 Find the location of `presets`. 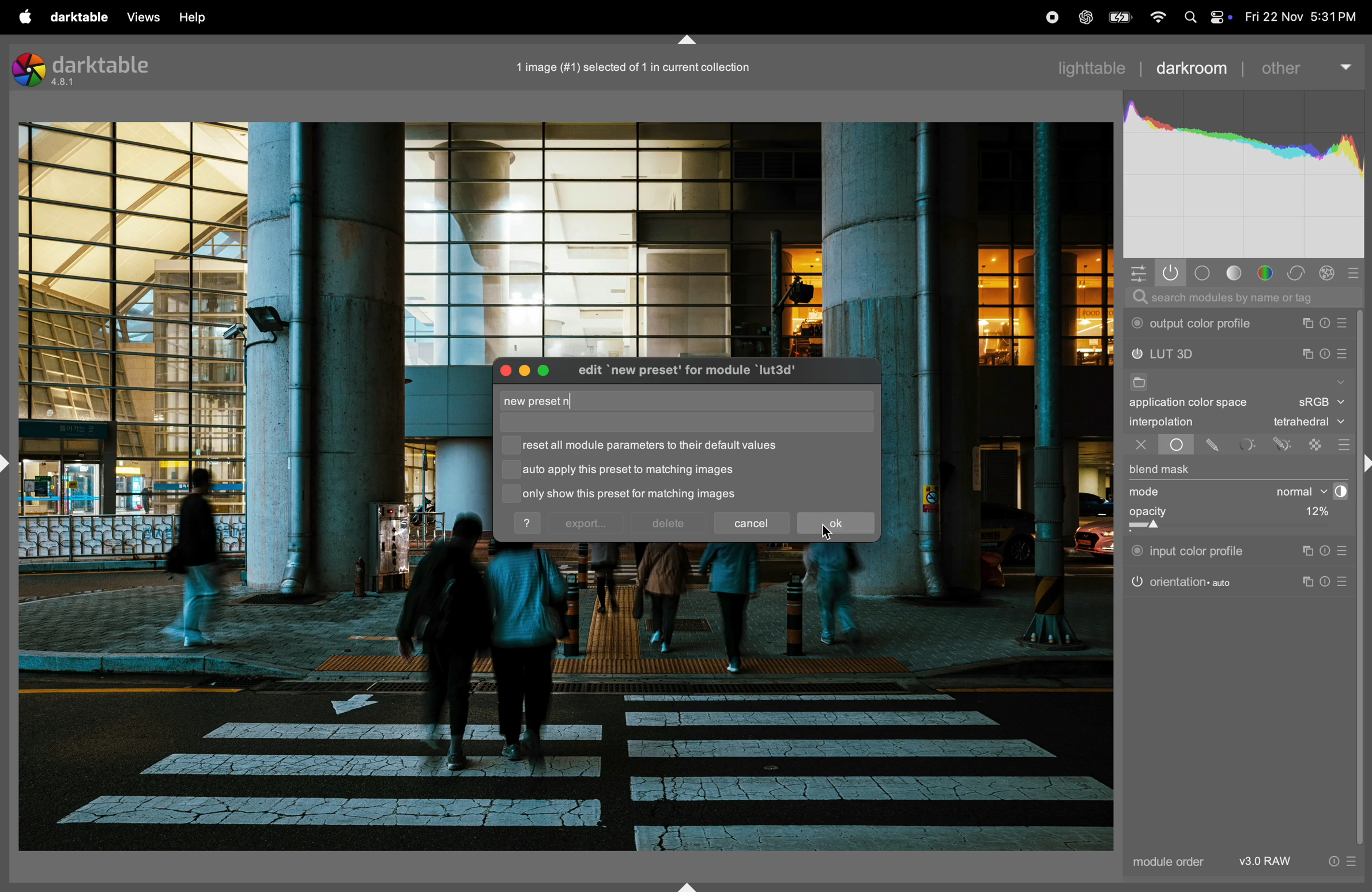

presets is located at coordinates (1345, 323).